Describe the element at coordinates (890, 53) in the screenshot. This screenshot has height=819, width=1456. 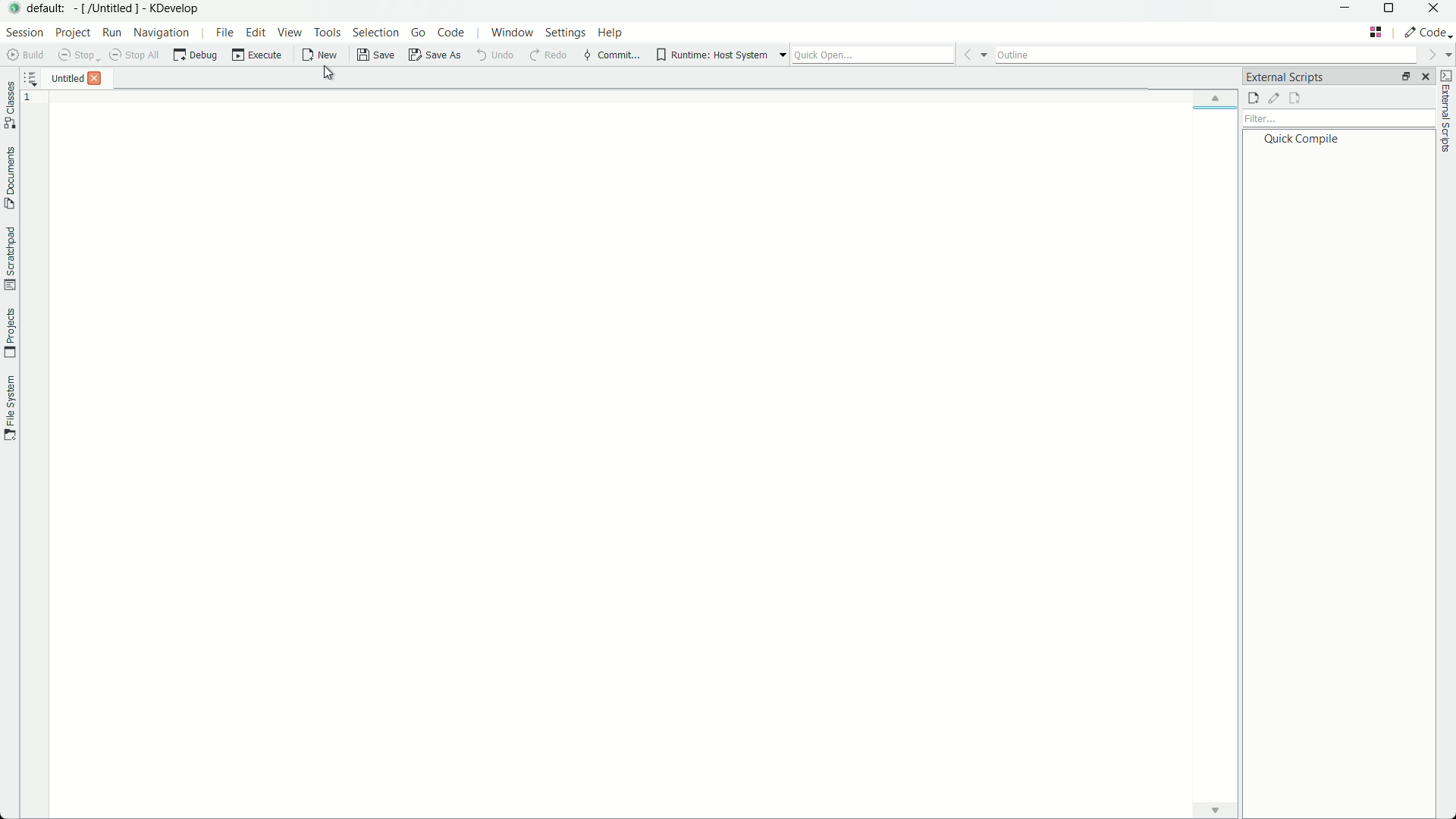
I see `quick open` at that location.